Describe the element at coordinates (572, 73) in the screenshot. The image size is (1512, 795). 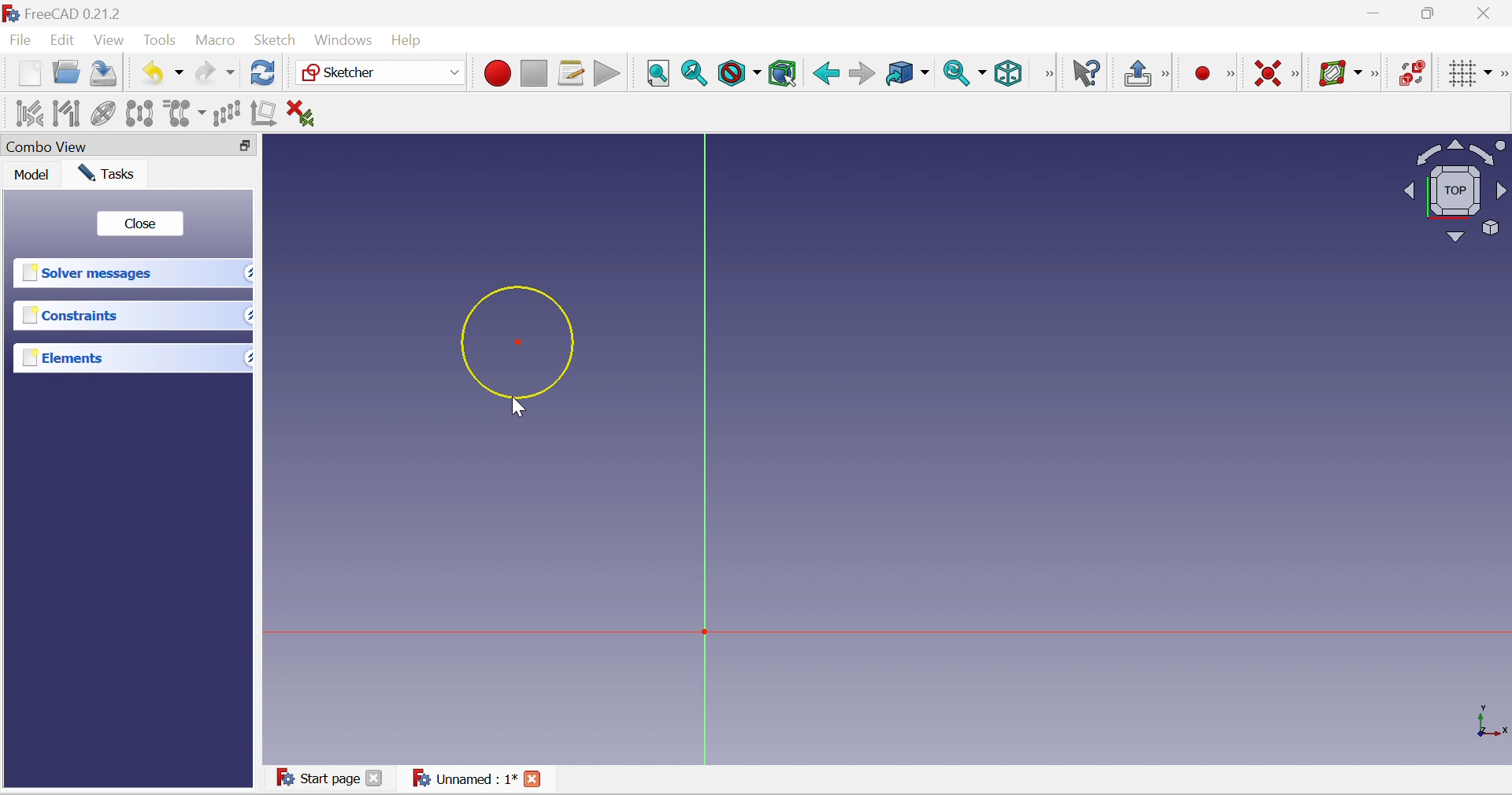
I see `Macros` at that location.